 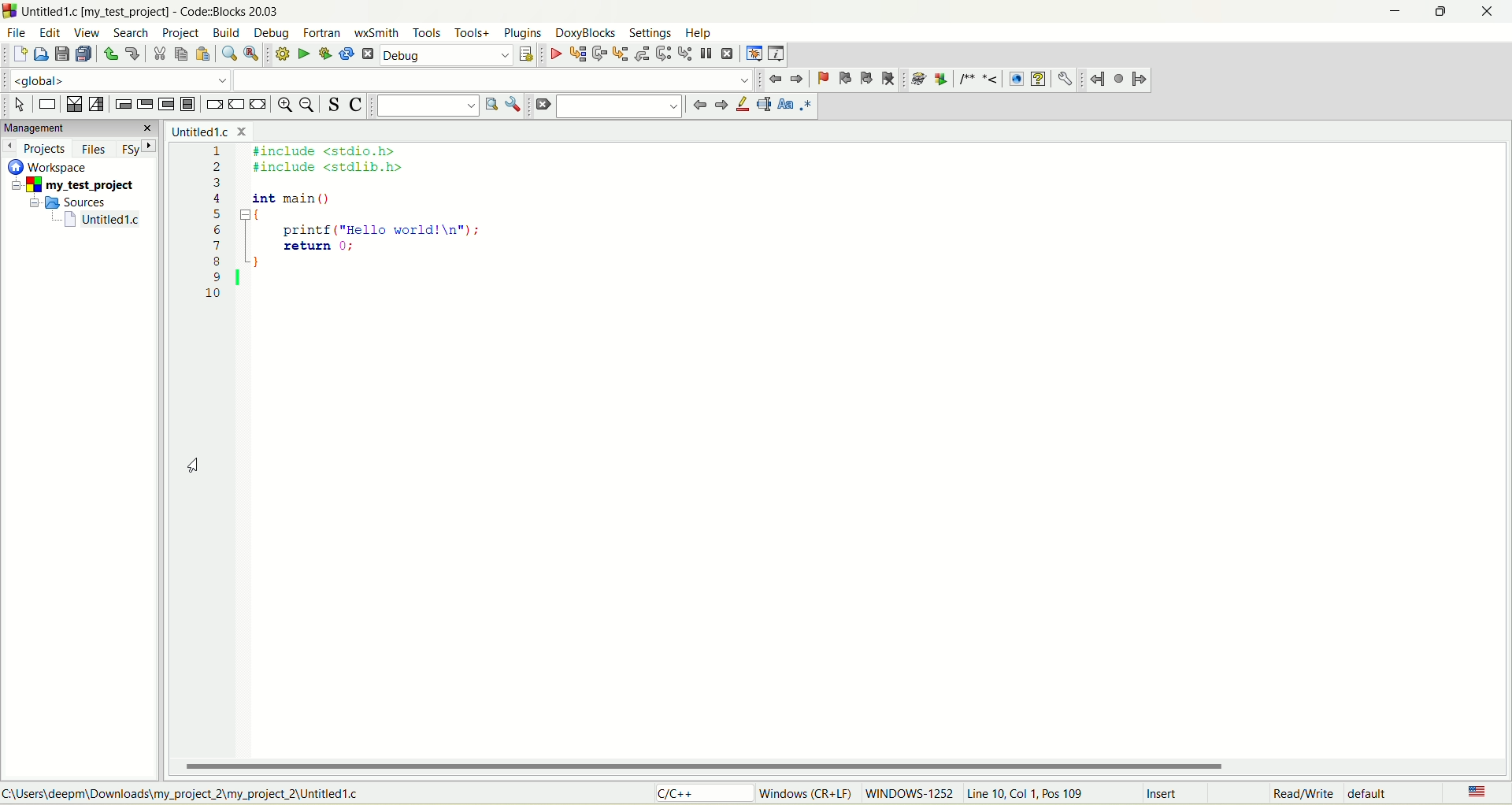 What do you see at coordinates (1299, 794) in the screenshot?
I see `read/write` at bounding box center [1299, 794].